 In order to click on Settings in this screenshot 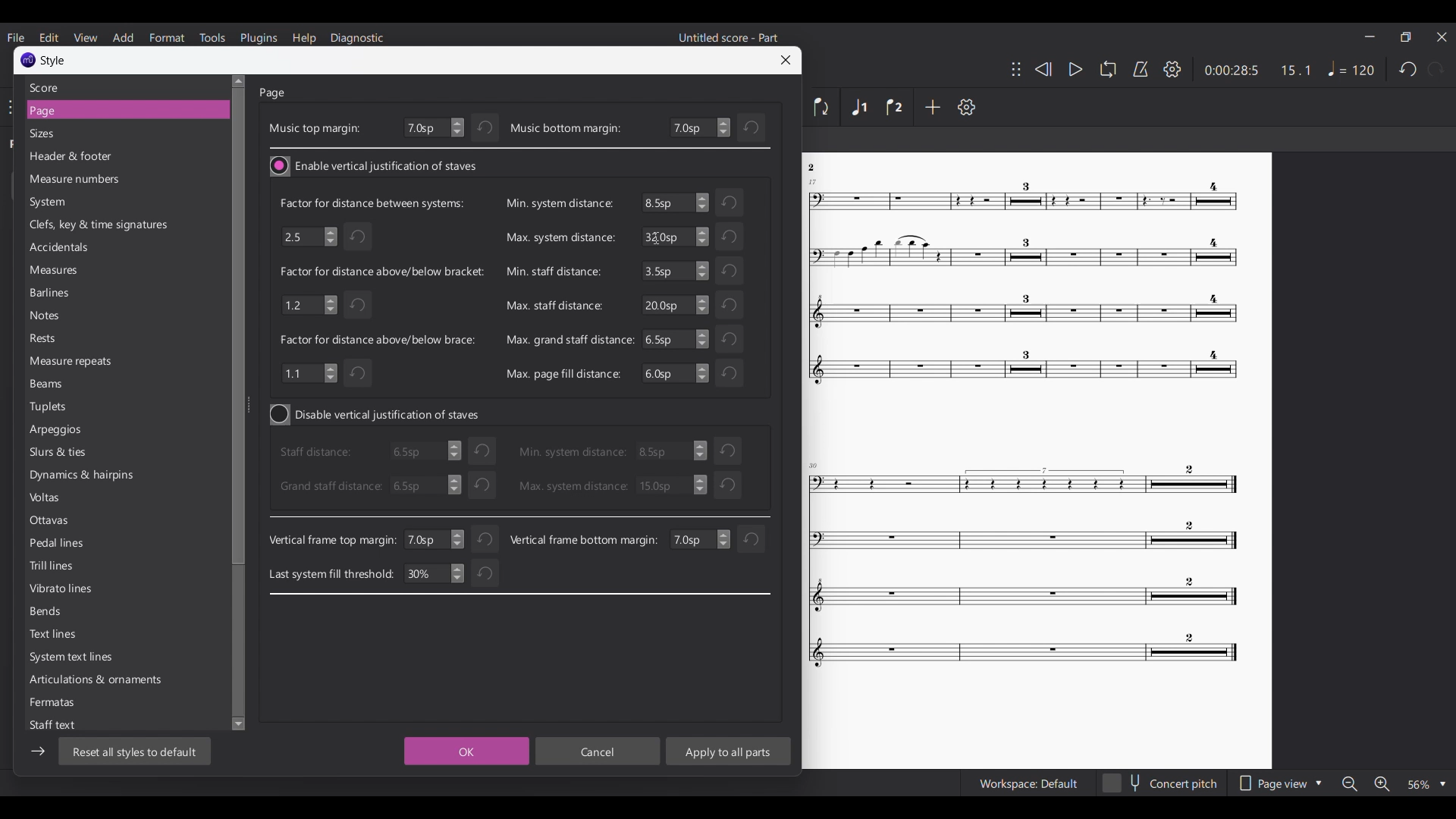, I will do `click(966, 107)`.